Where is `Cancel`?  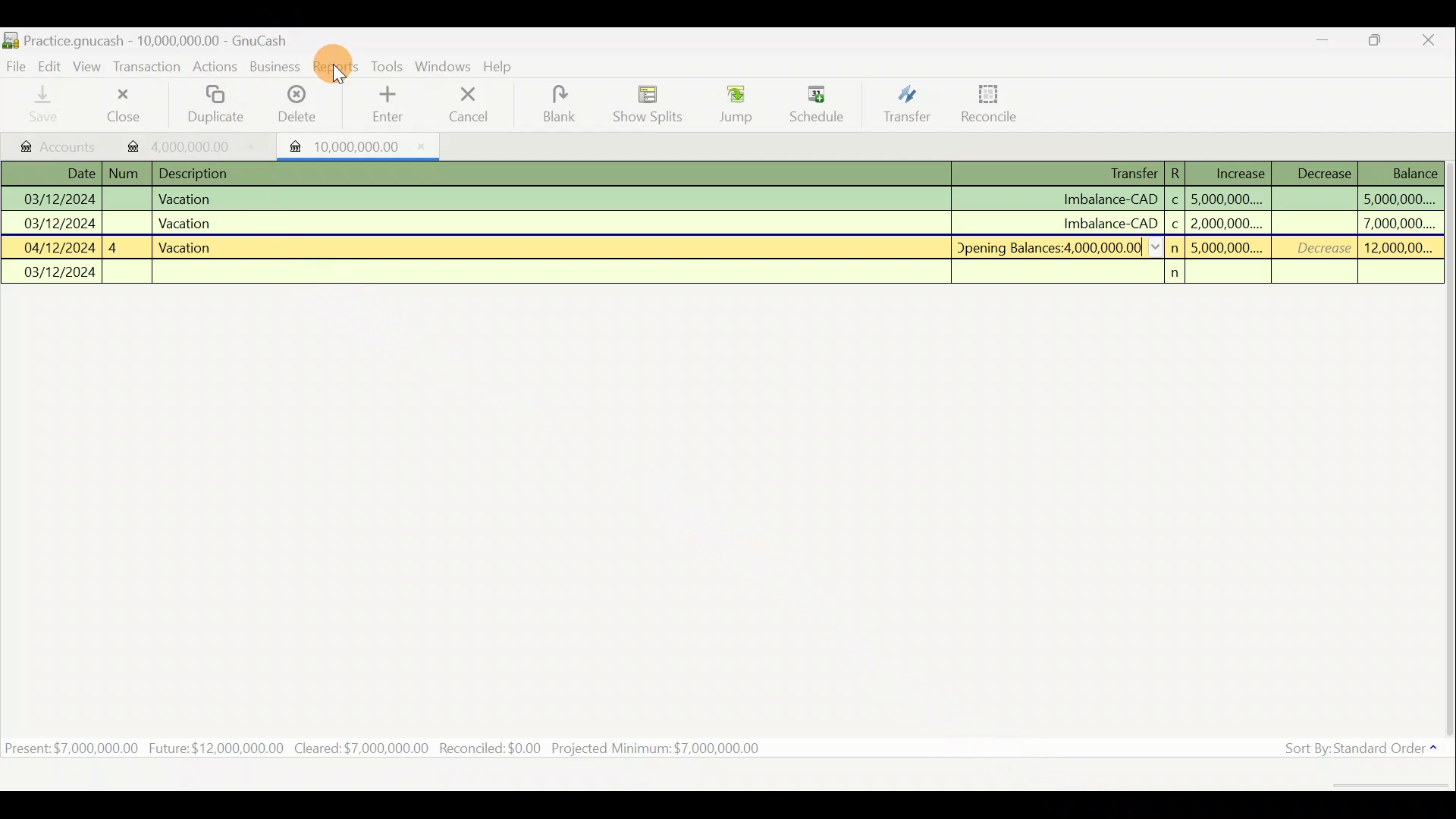 Cancel is located at coordinates (467, 104).